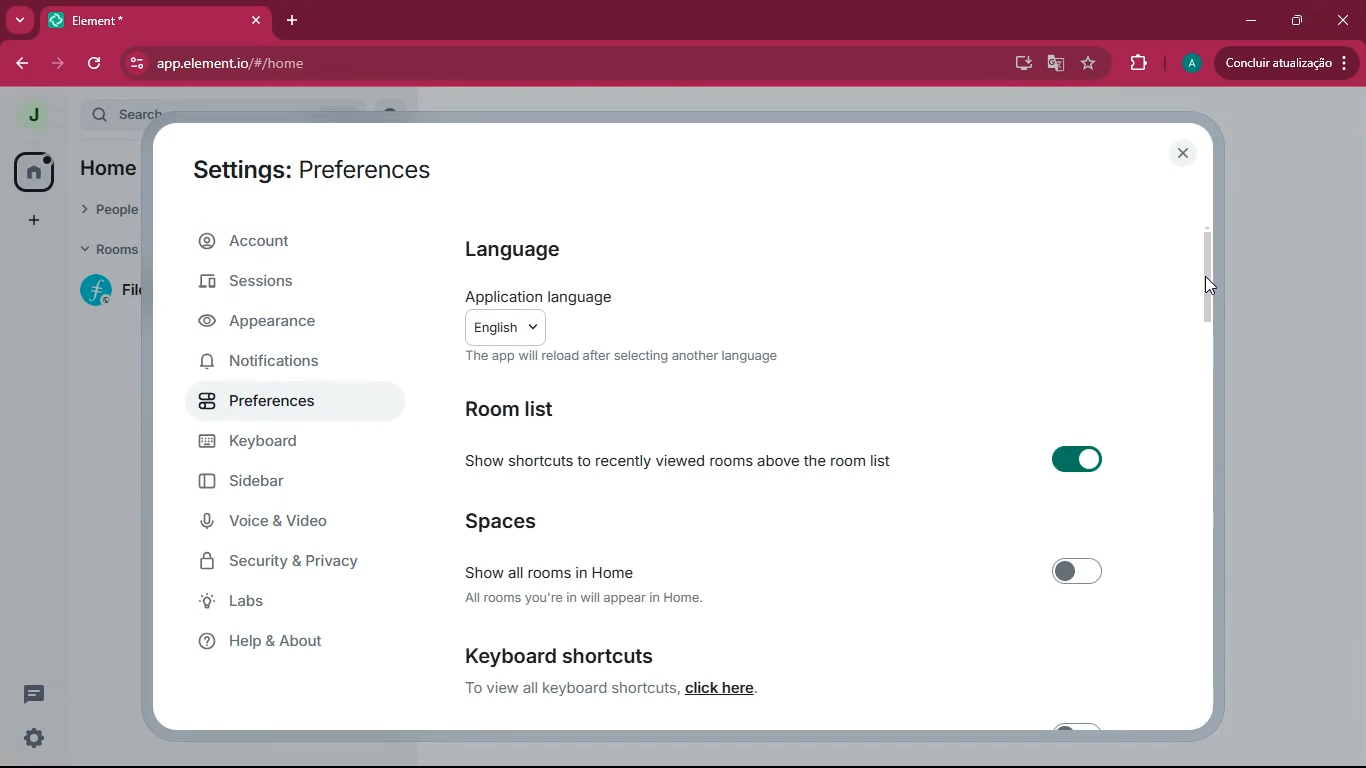 The width and height of the screenshot is (1366, 768). What do you see at coordinates (353, 64) in the screenshot?
I see `url` at bounding box center [353, 64].